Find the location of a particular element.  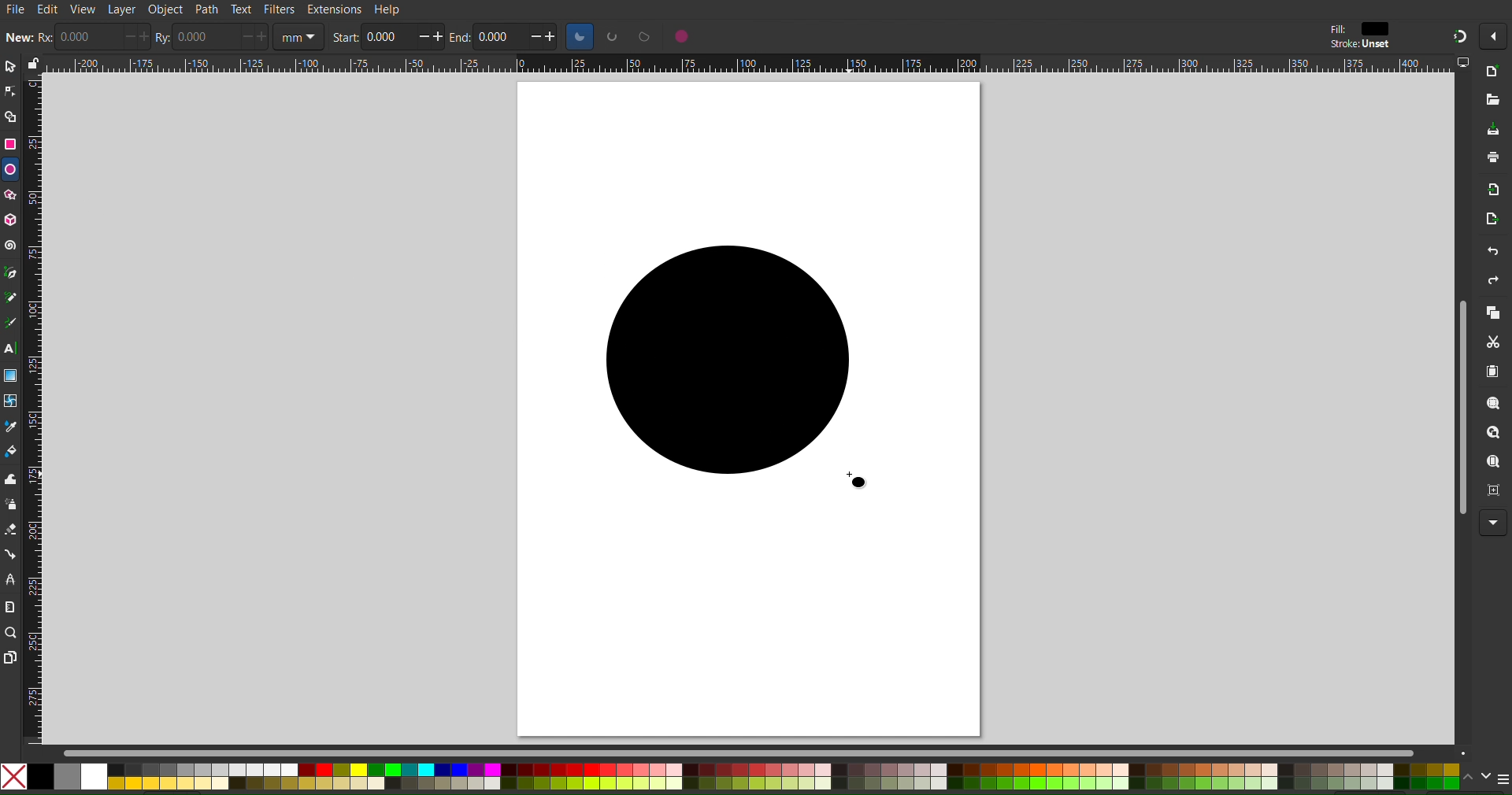

LPE Tool is located at coordinates (10, 579).